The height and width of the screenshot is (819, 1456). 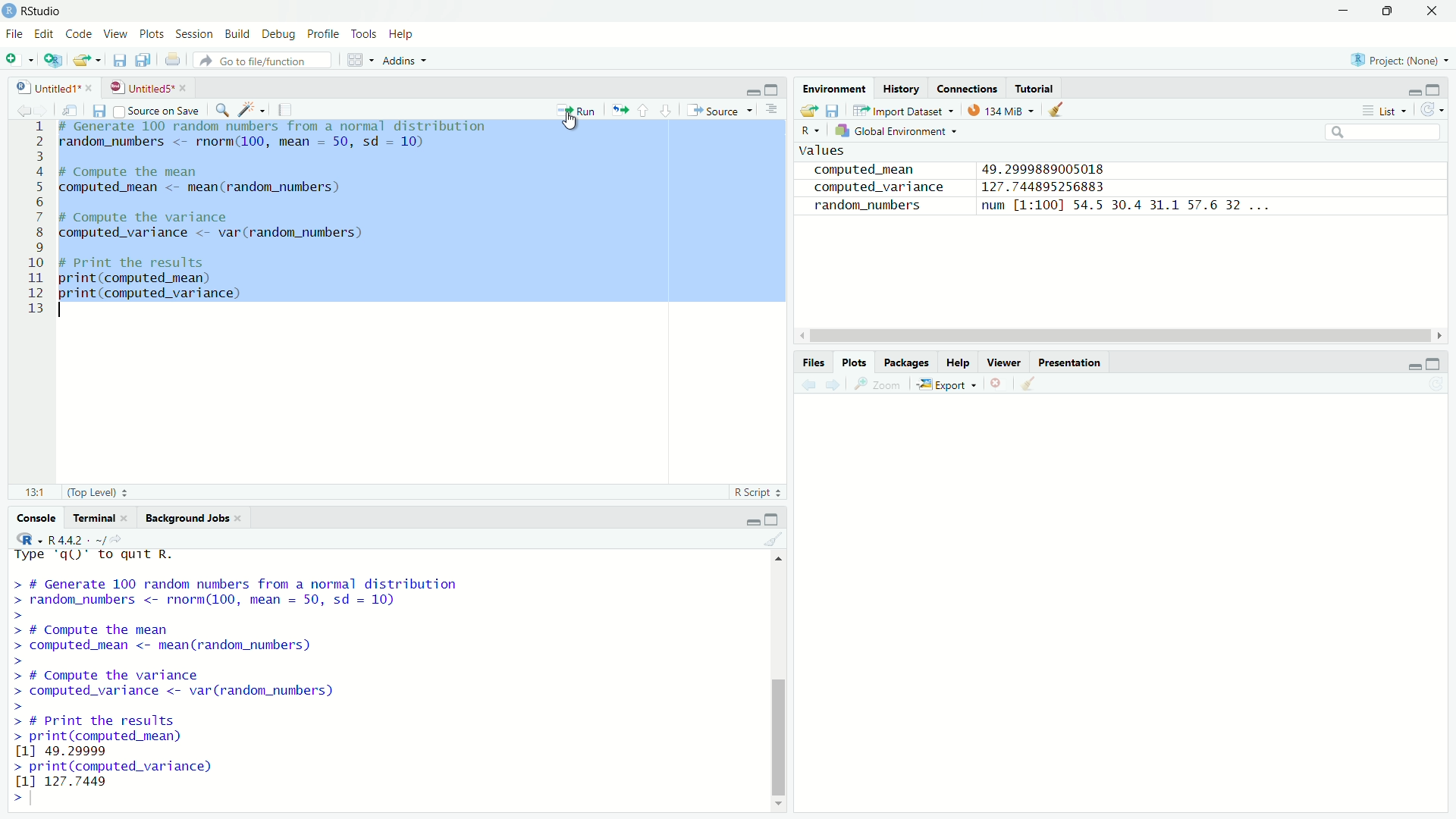 I want to click on R Script, so click(x=755, y=492).